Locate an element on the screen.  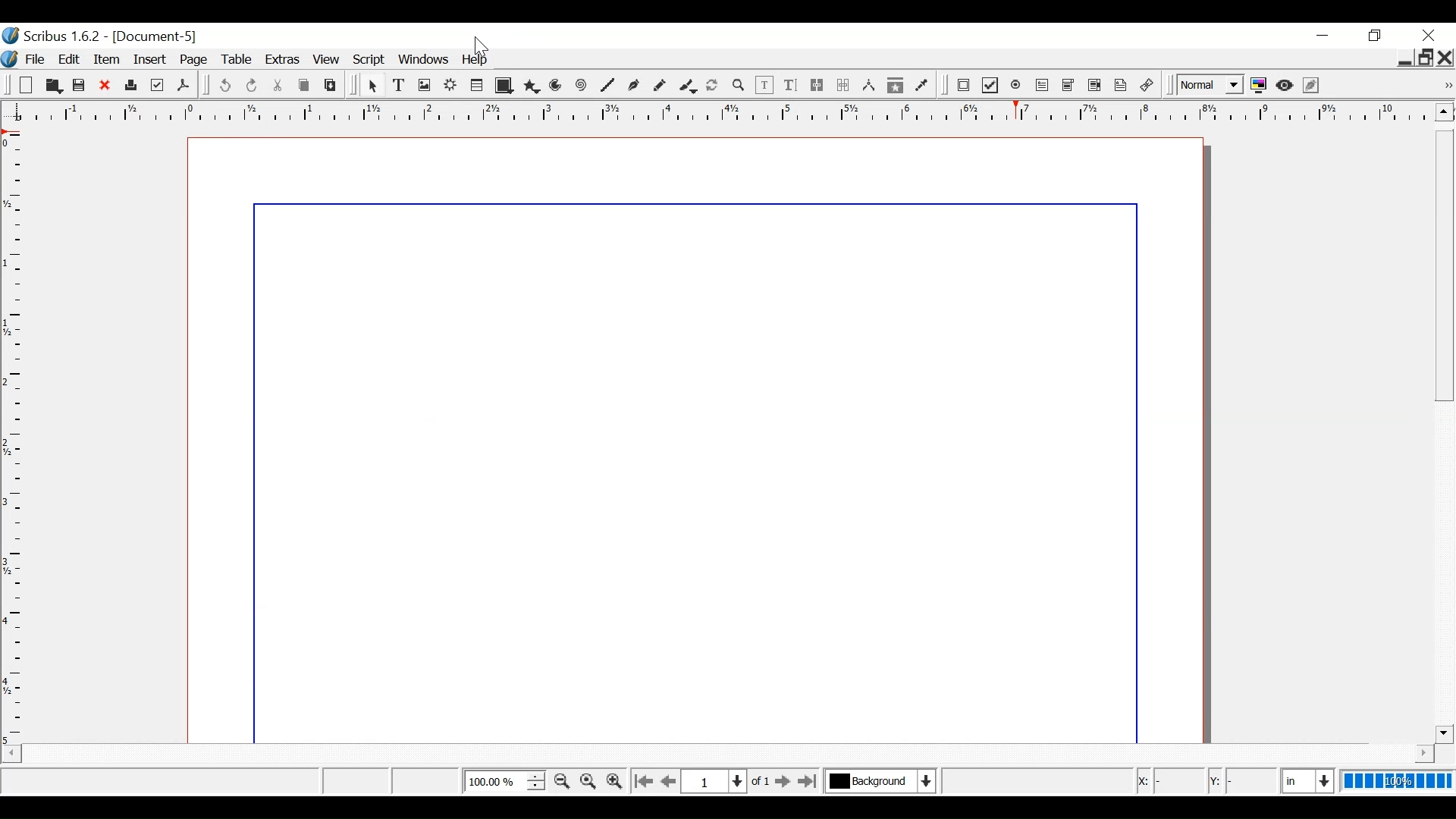
PDF Radio Button is located at coordinates (1017, 86).